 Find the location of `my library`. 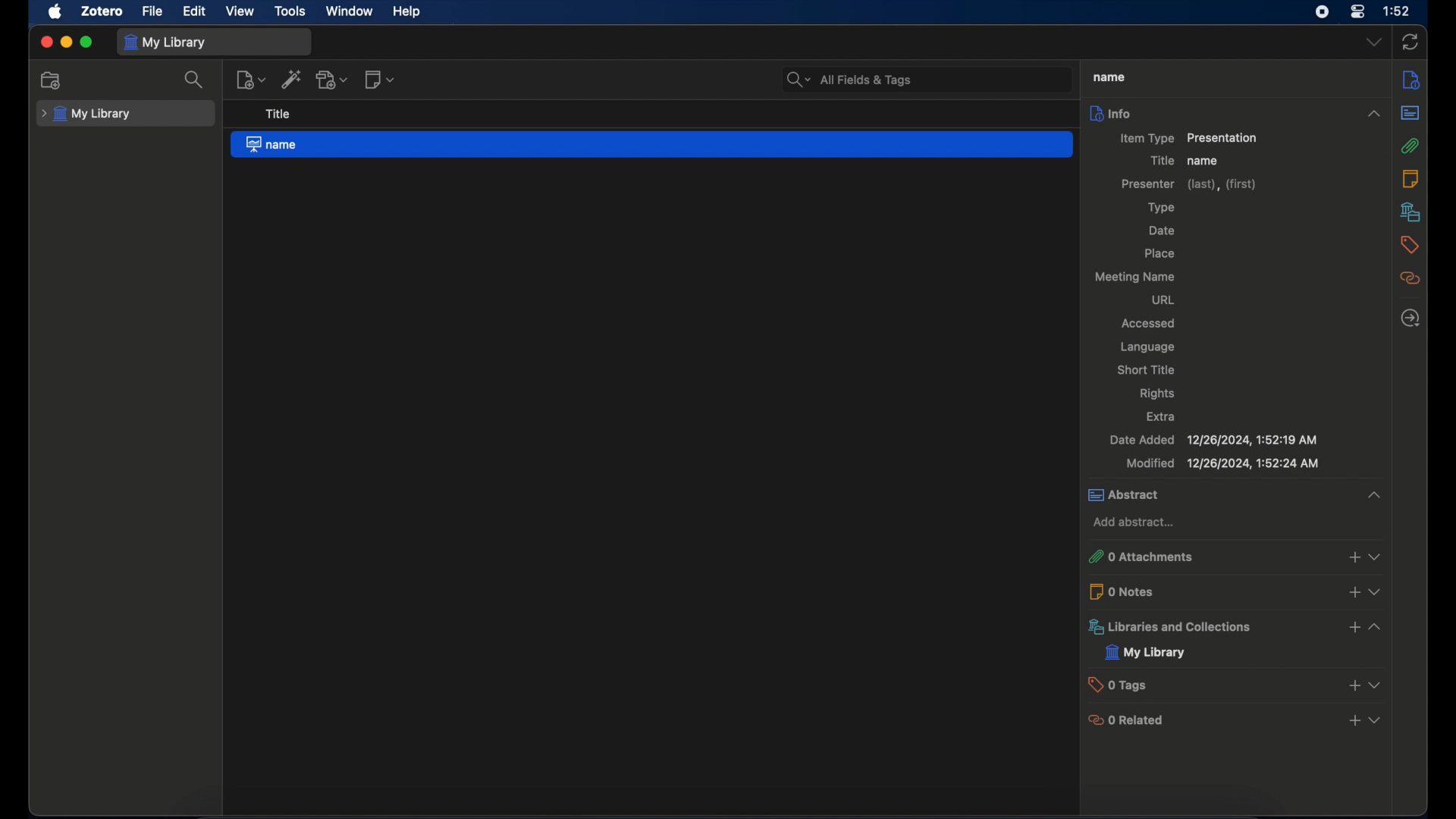

my library is located at coordinates (1146, 652).